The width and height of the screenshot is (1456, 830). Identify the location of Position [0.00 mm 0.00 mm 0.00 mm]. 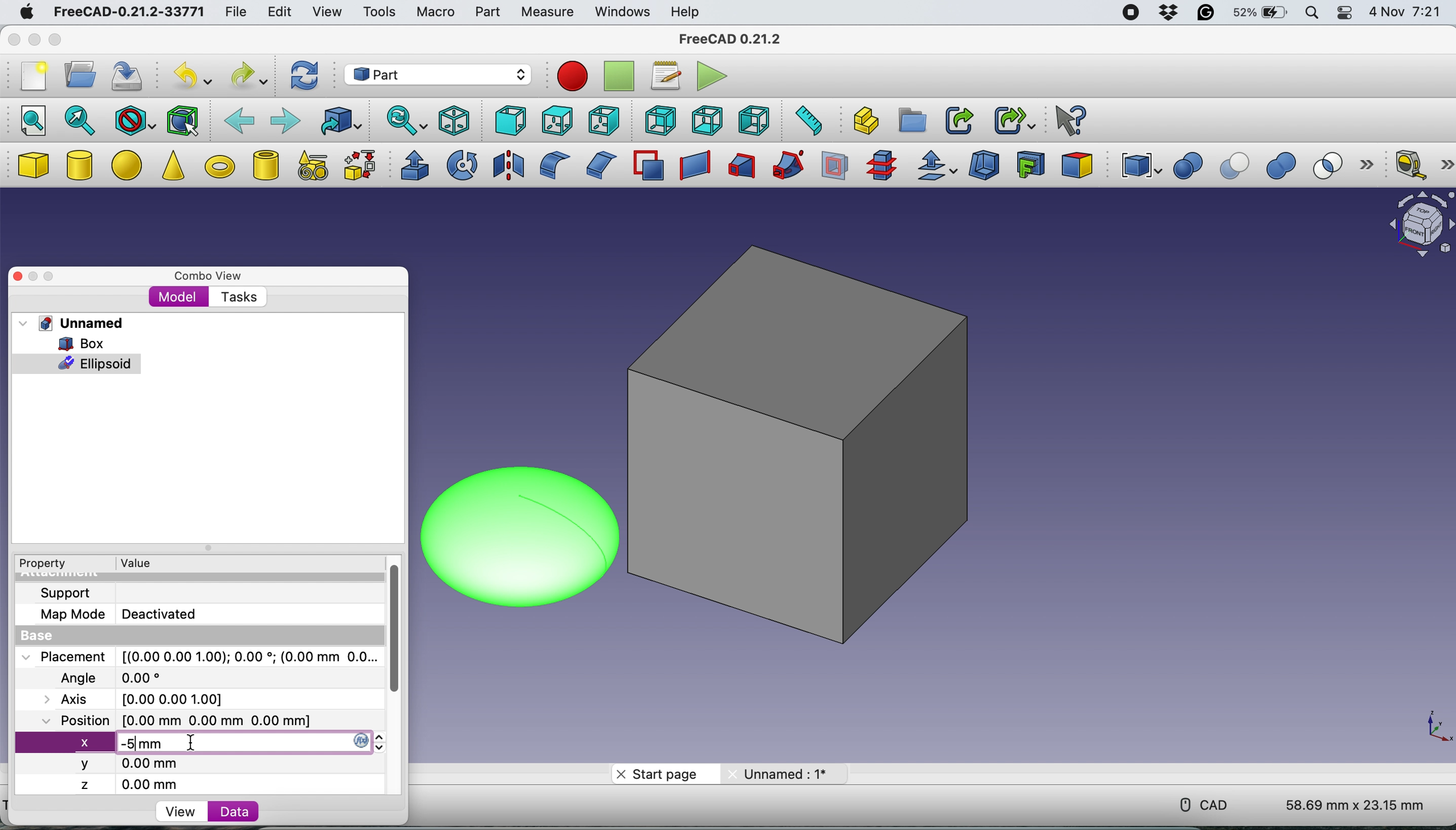
(175, 720).